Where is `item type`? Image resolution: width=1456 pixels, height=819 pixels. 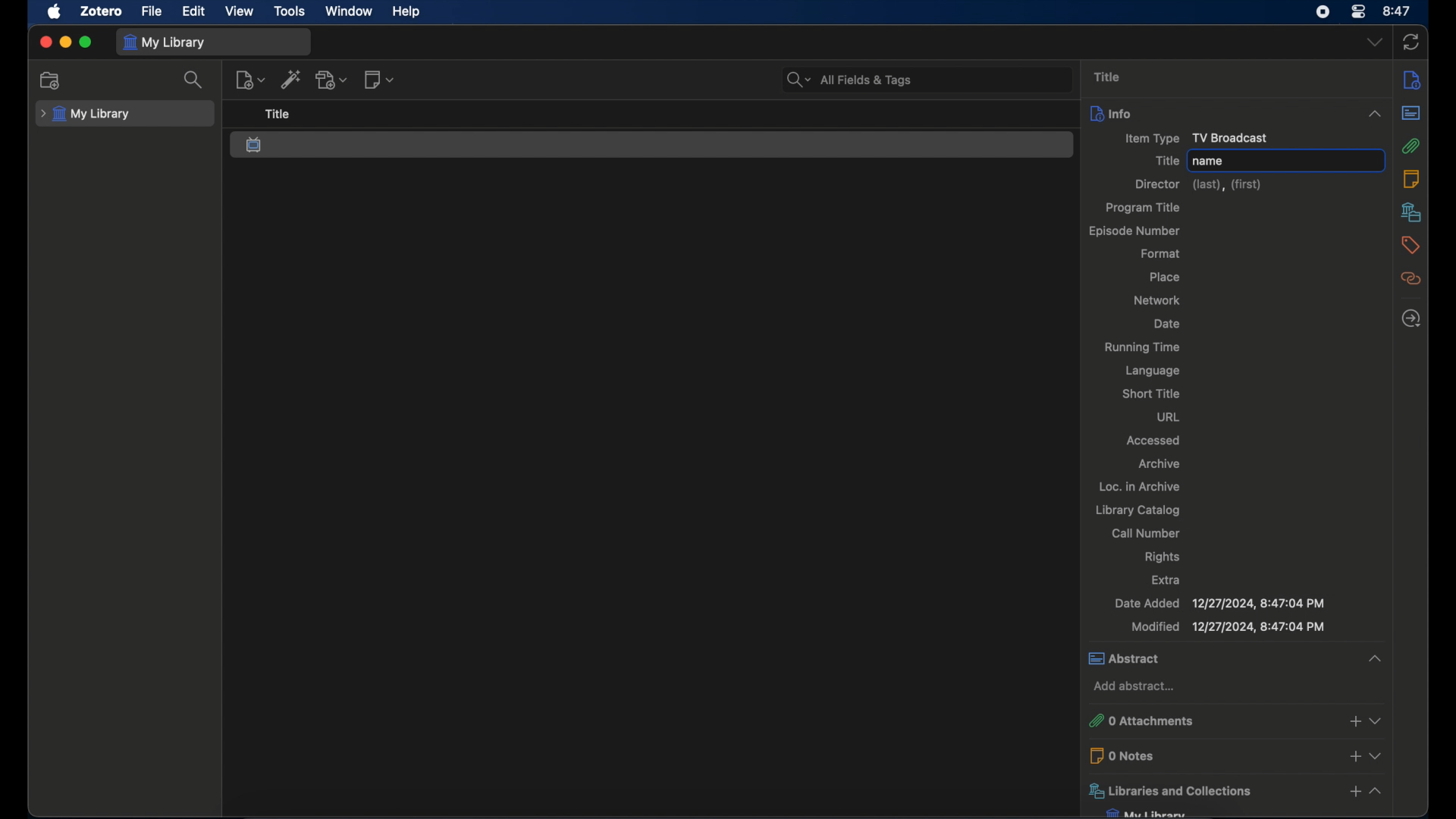
item type is located at coordinates (1188, 139).